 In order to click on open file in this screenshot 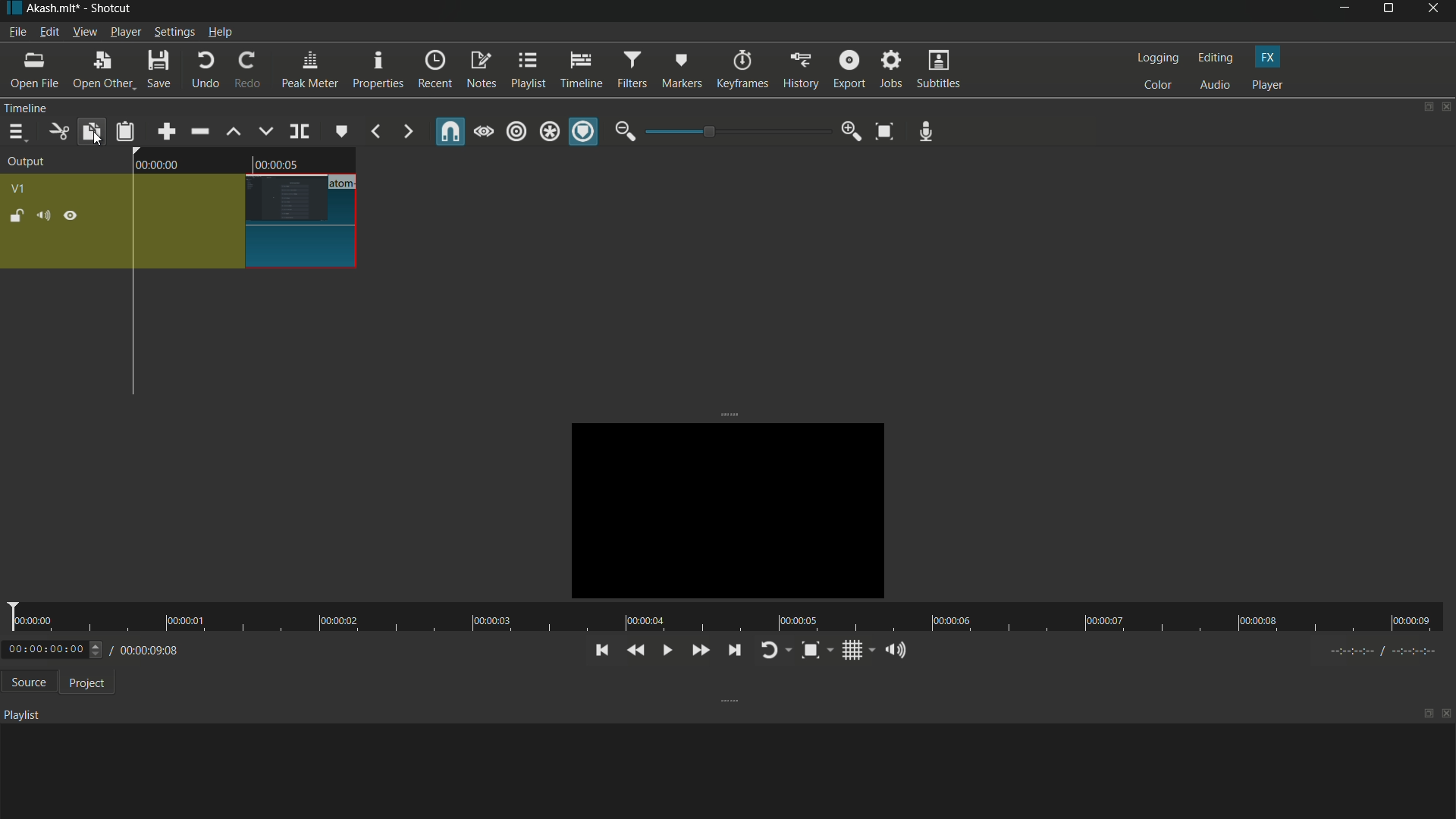, I will do `click(33, 70)`.